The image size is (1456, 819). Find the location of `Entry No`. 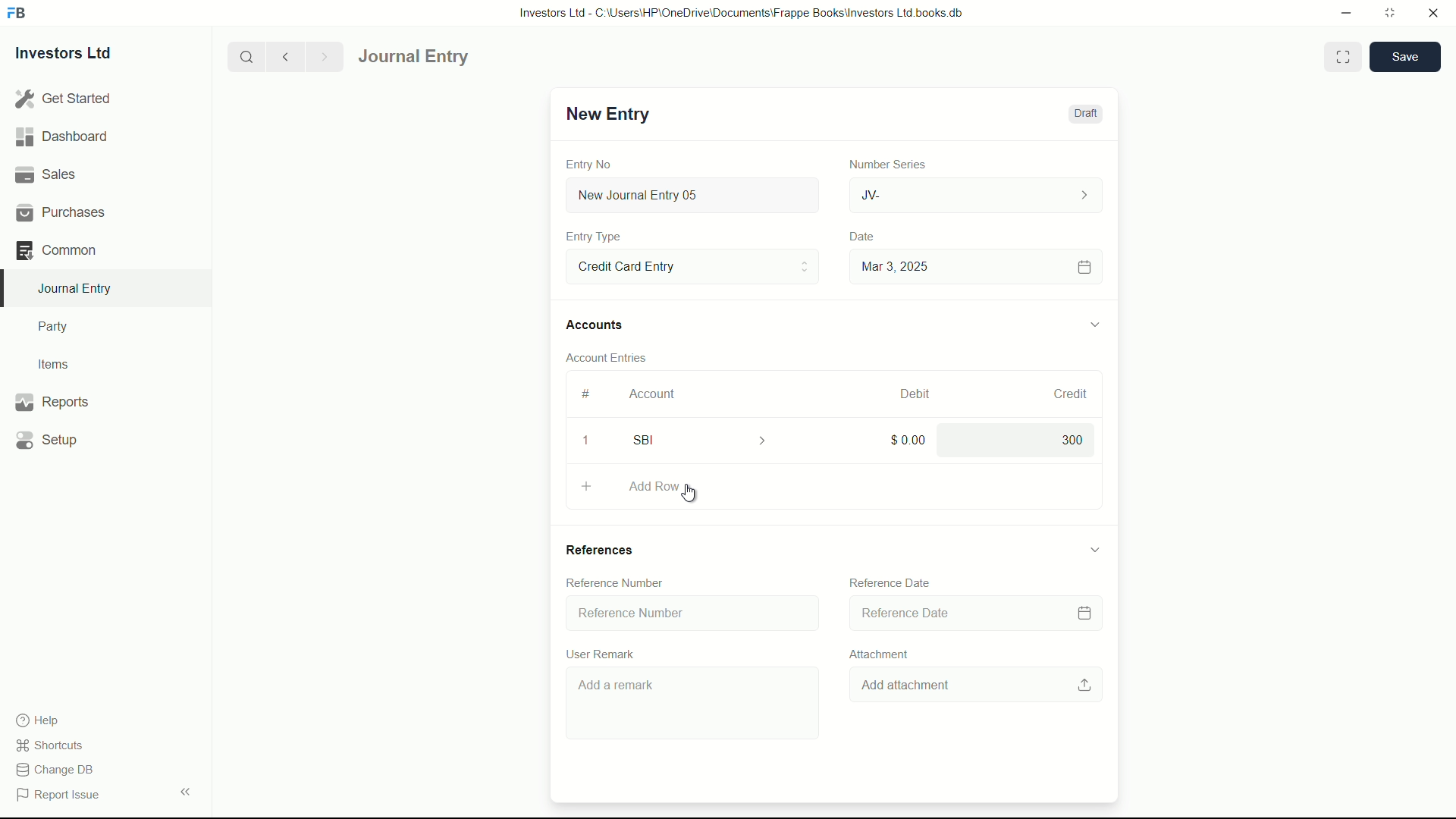

Entry No is located at coordinates (591, 162).